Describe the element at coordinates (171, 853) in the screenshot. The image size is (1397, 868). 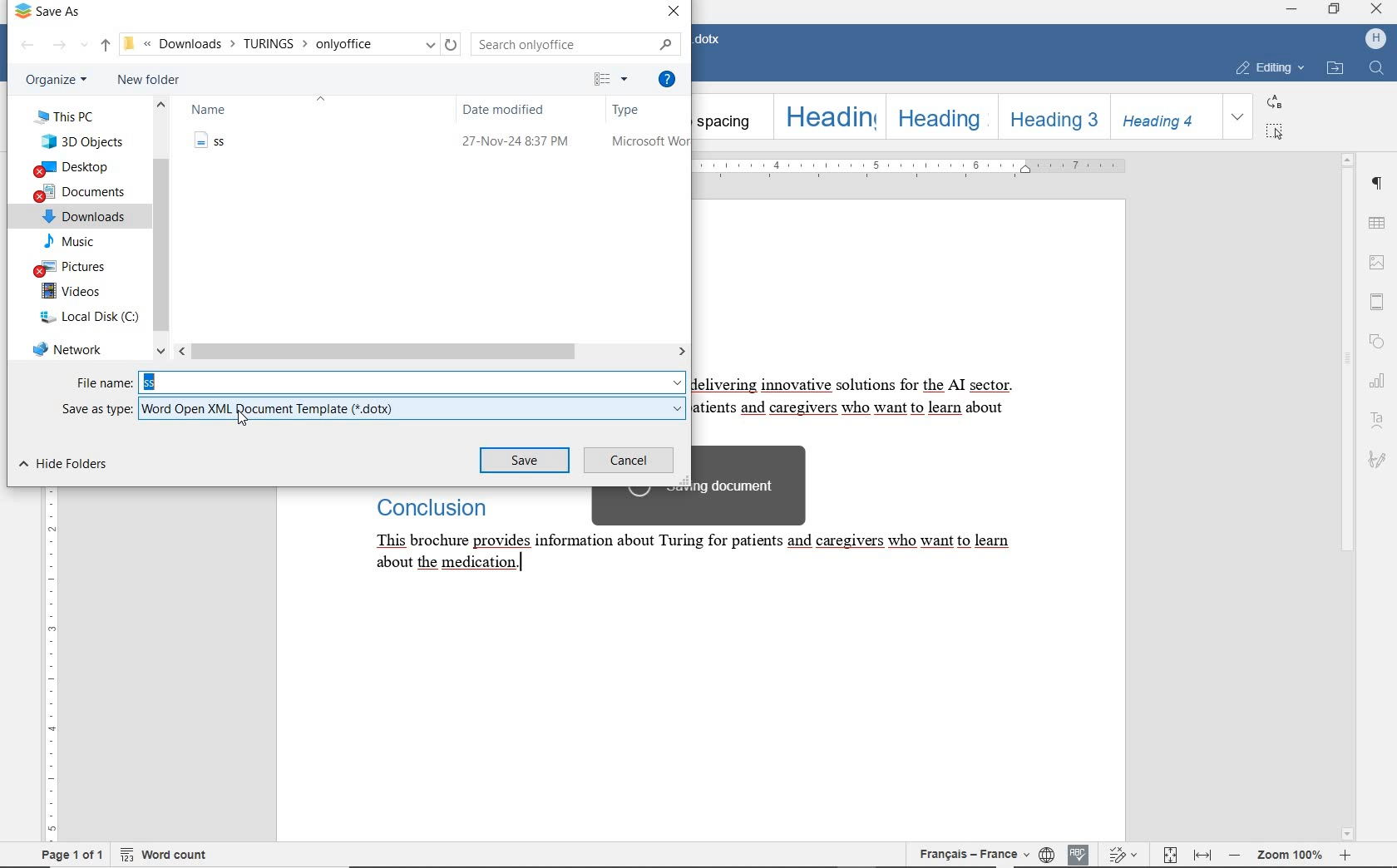
I see `WORD COUNT` at that location.